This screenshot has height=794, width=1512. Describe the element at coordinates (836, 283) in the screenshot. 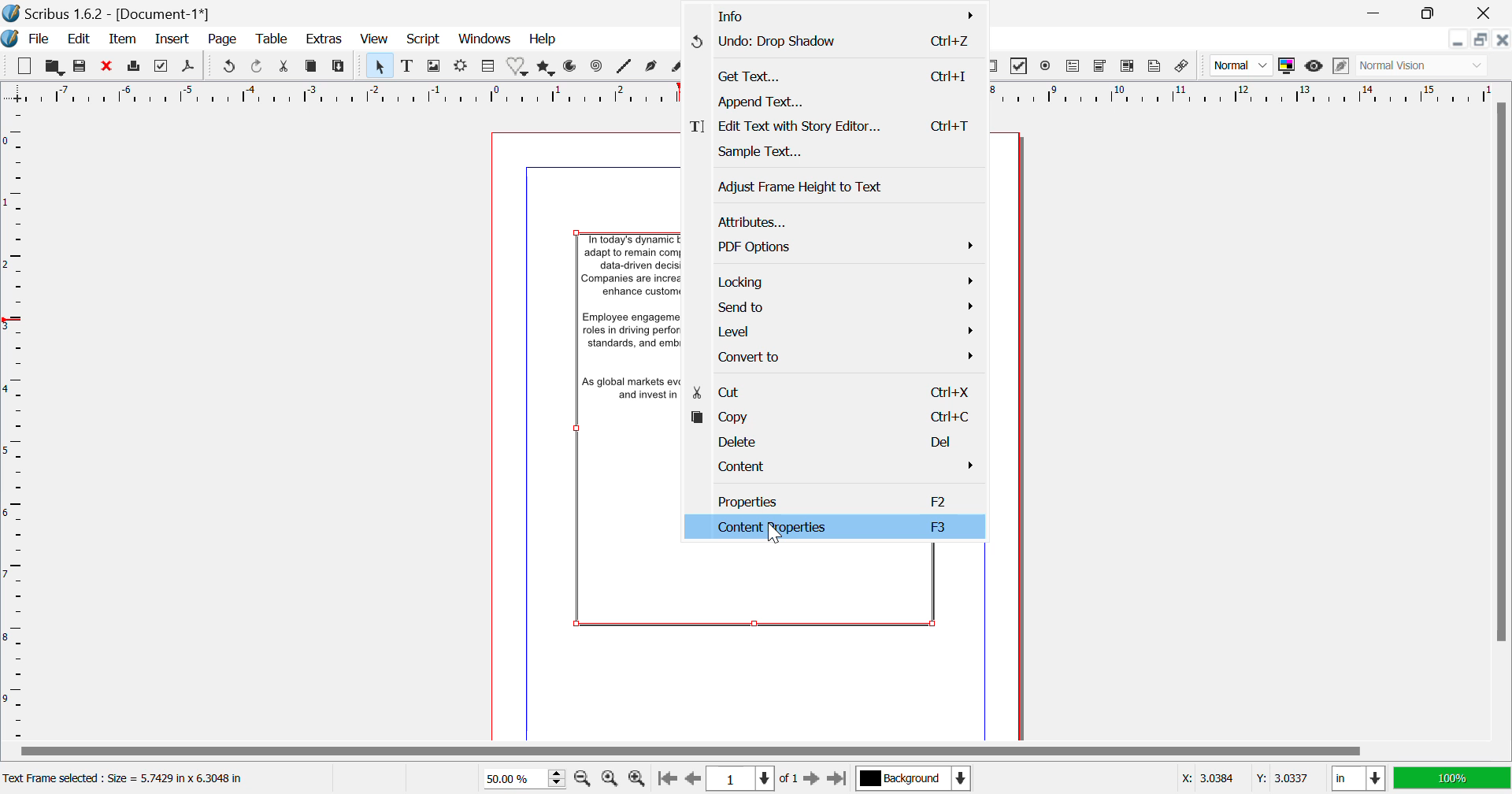

I see `Locking` at that location.